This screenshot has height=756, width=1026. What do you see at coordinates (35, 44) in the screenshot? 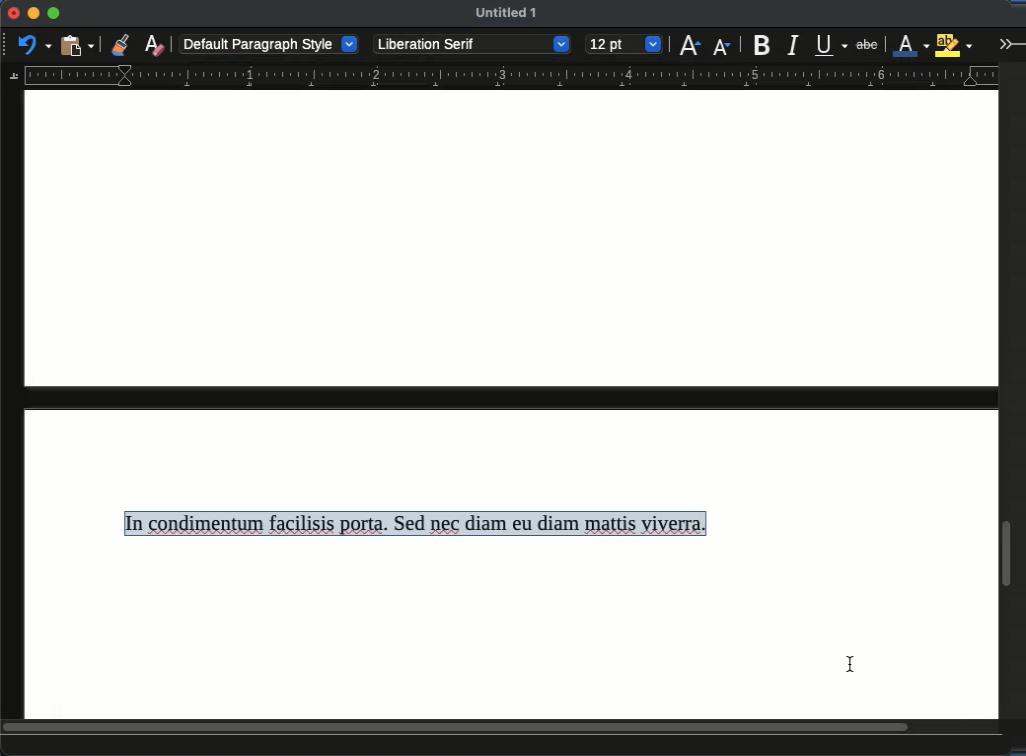
I see `undo` at bounding box center [35, 44].